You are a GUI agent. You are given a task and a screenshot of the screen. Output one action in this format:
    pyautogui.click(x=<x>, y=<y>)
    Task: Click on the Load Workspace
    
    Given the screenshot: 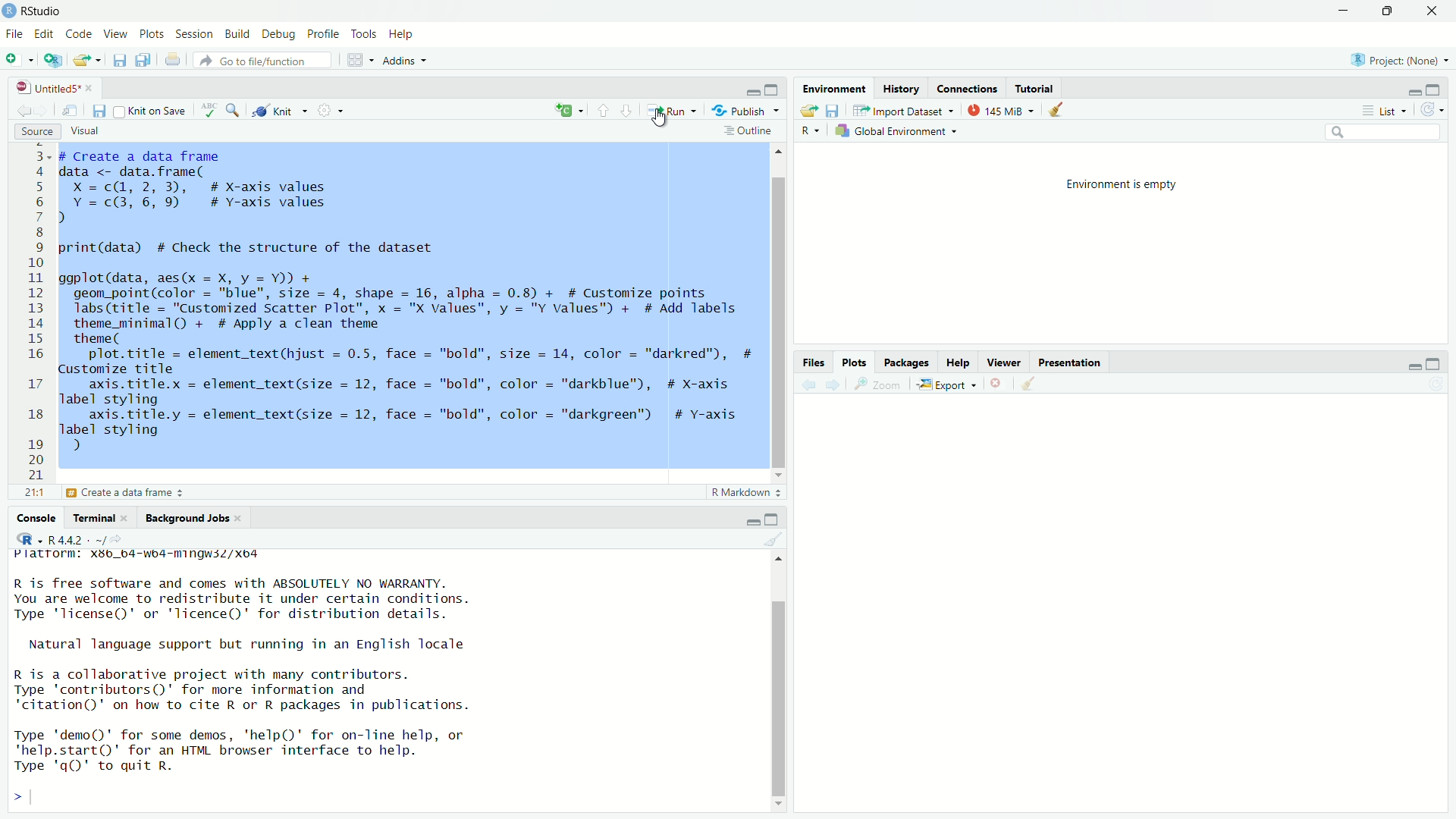 What is the action you would take?
    pyautogui.click(x=810, y=111)
    